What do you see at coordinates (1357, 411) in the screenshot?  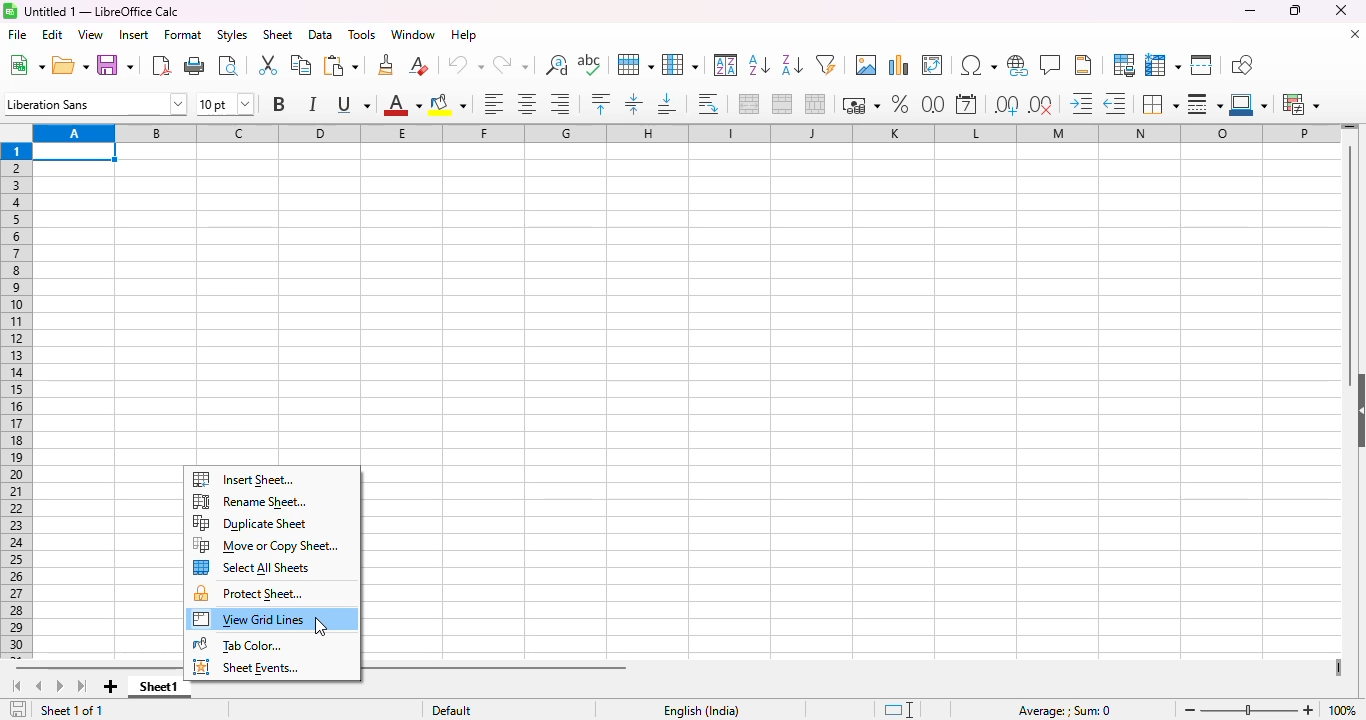 I see `show` at bounding box center [1357, 411].